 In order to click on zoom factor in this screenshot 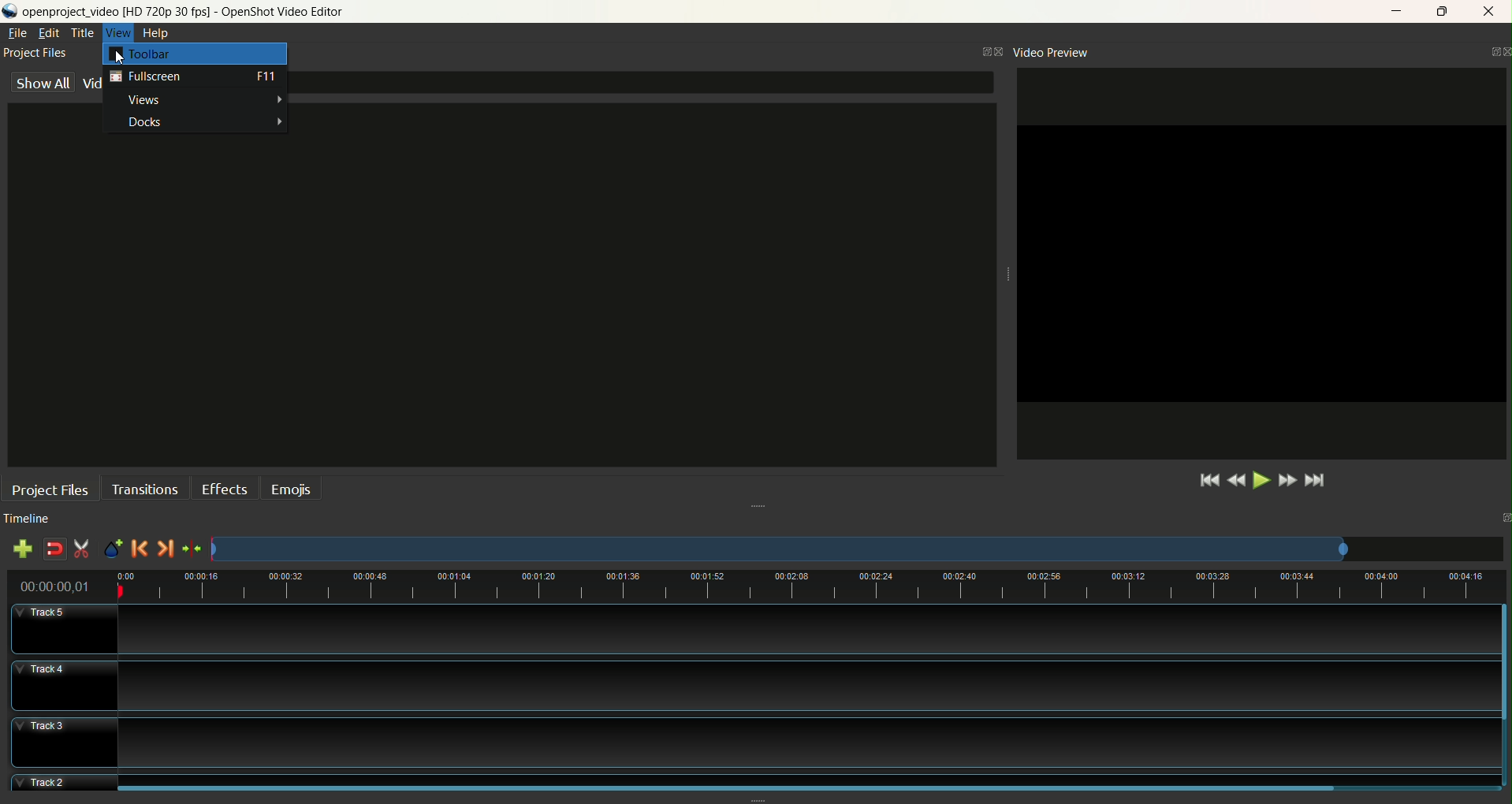, I will do `click(858, 549)`.